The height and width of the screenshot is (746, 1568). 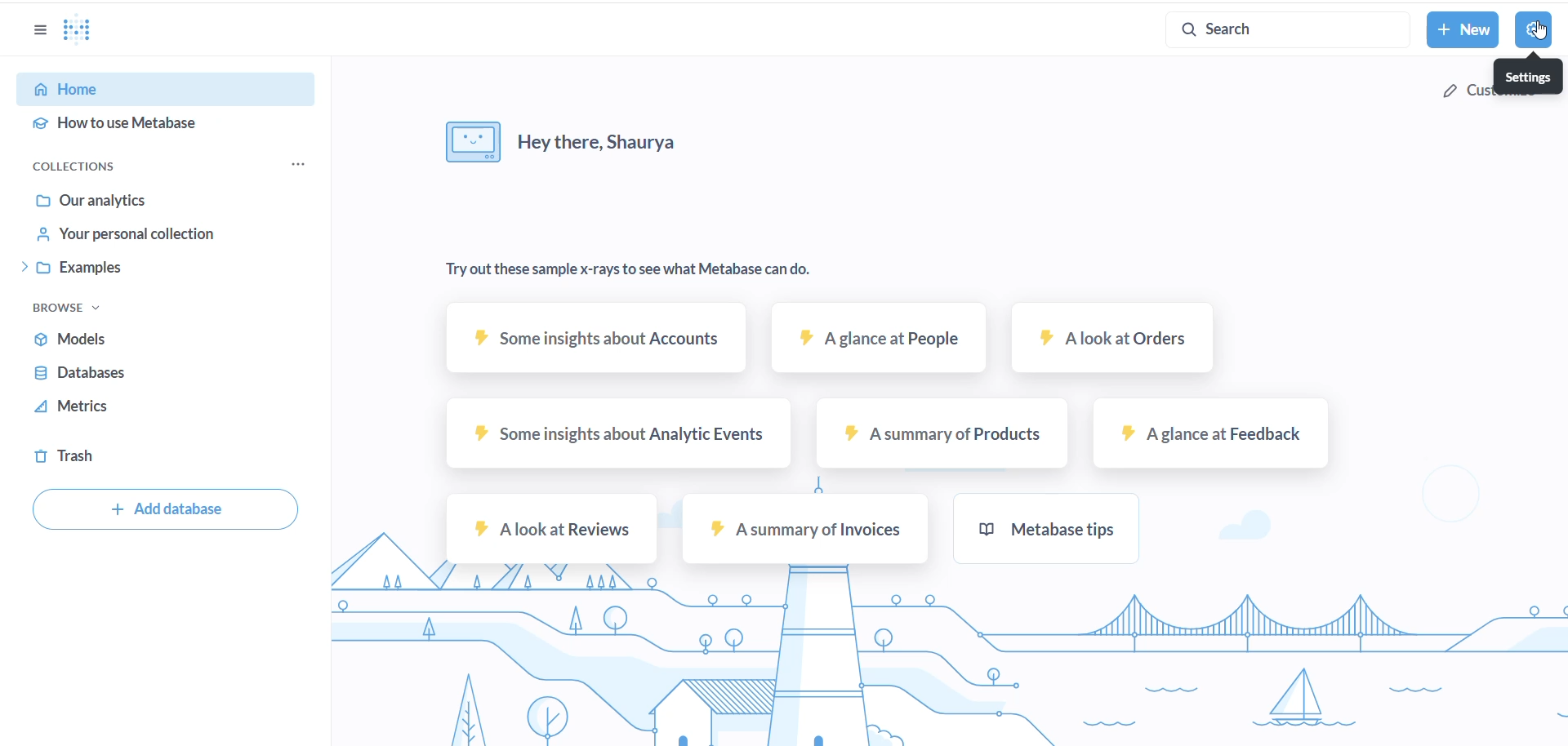 What do you see at coordinates (632, 269) in the screenshot?
I see `Try out these sample x-rays to see what Metabase can do.` at bounding box center [632, 269].